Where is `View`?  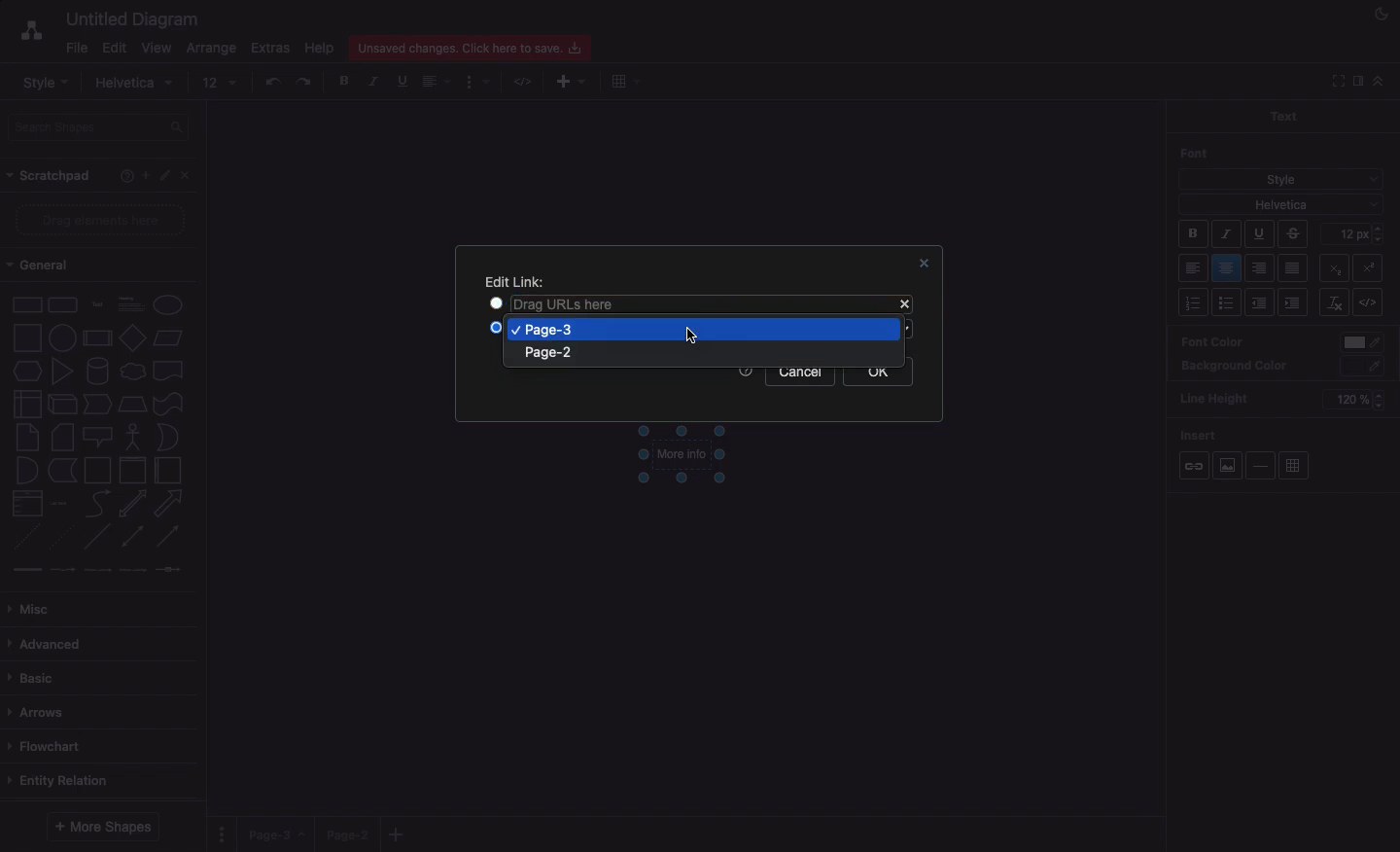
View is located at coordinates (155, 45).